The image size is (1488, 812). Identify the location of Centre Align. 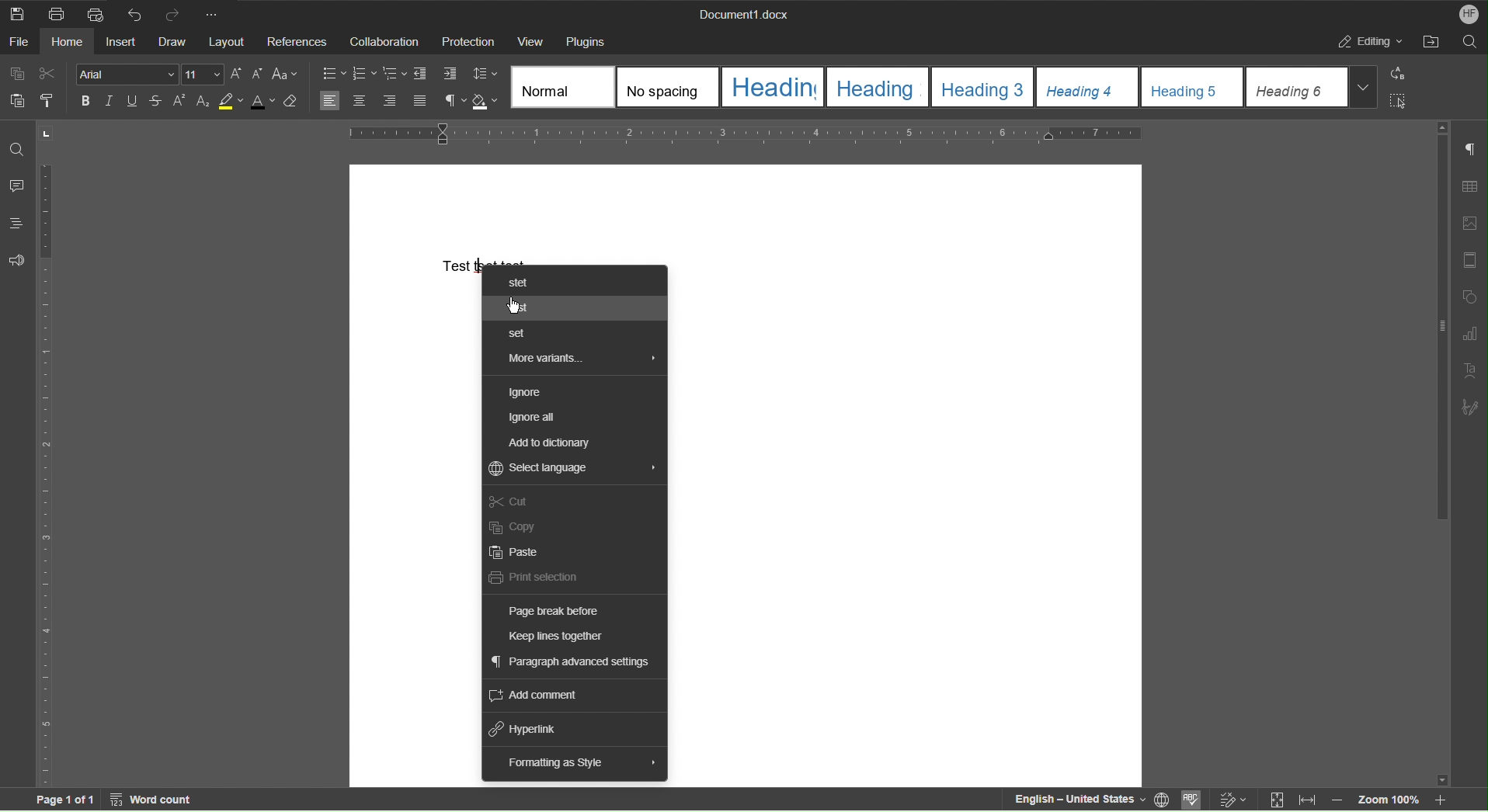
(360, 102).